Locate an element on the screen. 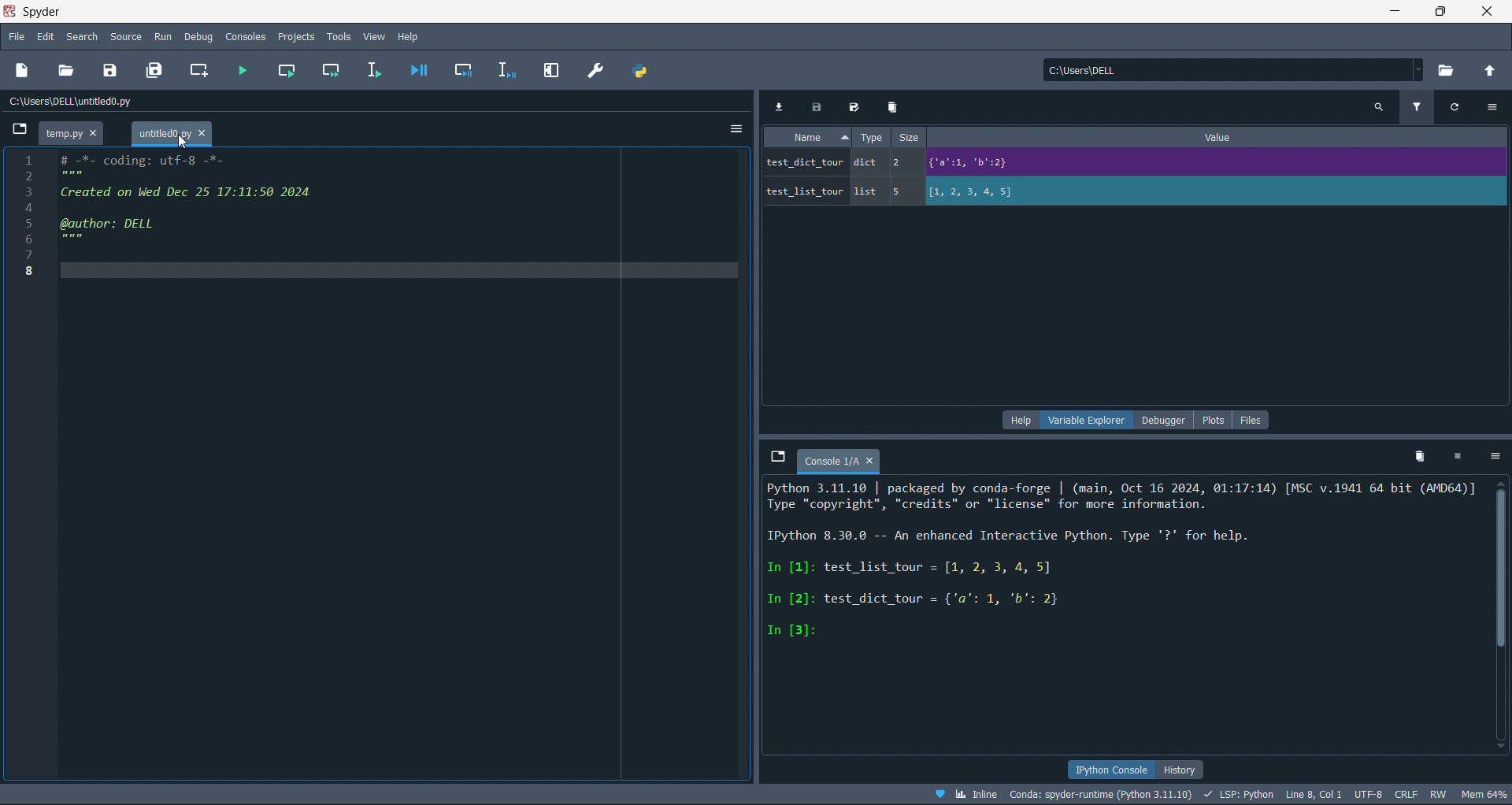 The image size is (1512, 805). options is located at coordinates (1496, 107).